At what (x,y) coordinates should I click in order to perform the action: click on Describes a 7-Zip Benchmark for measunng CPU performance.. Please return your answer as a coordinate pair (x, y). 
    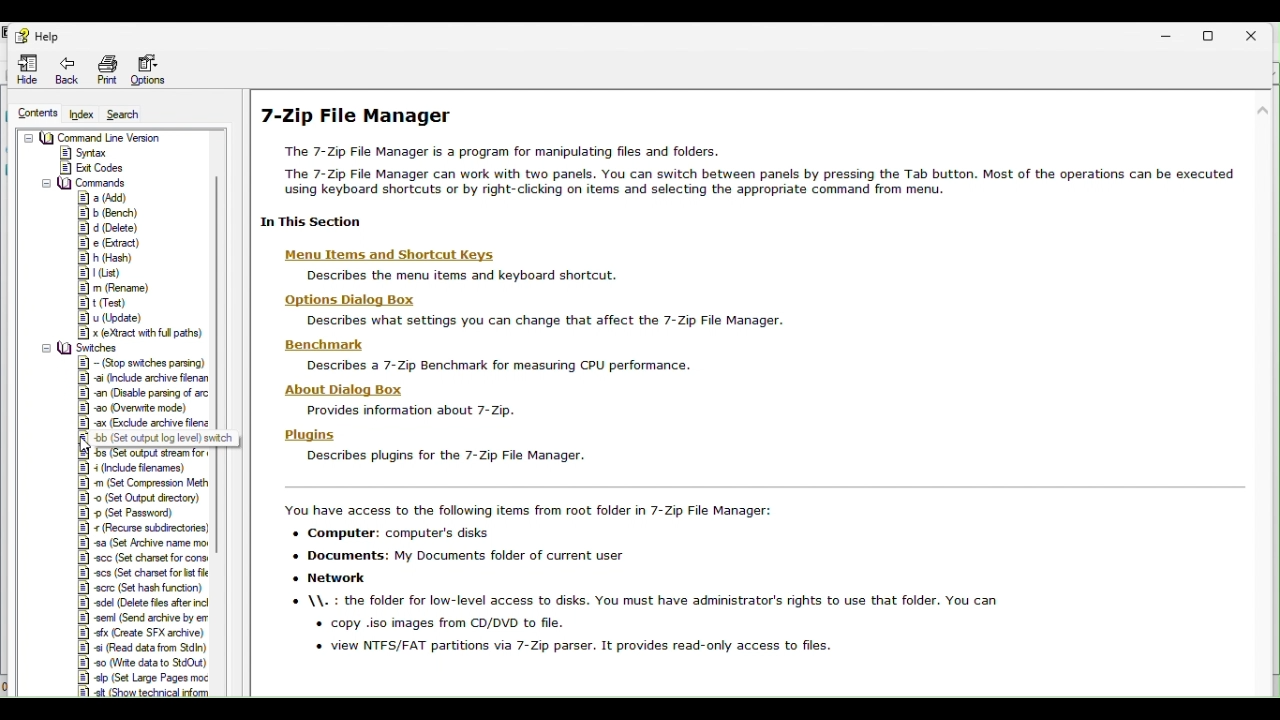
    Looking at the image, I should click on (496, 367).